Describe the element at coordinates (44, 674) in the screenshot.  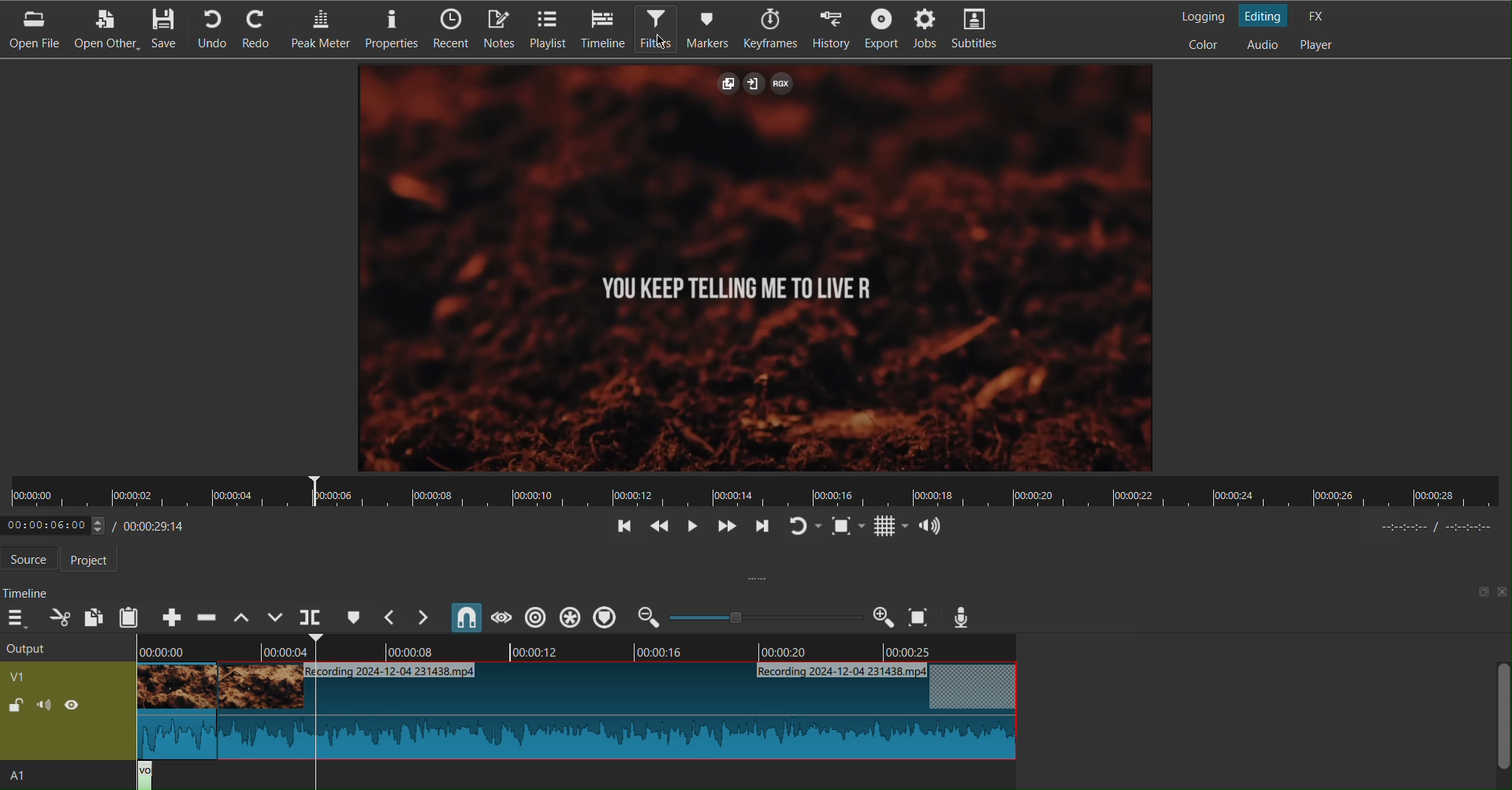
I see `V1` at that location.